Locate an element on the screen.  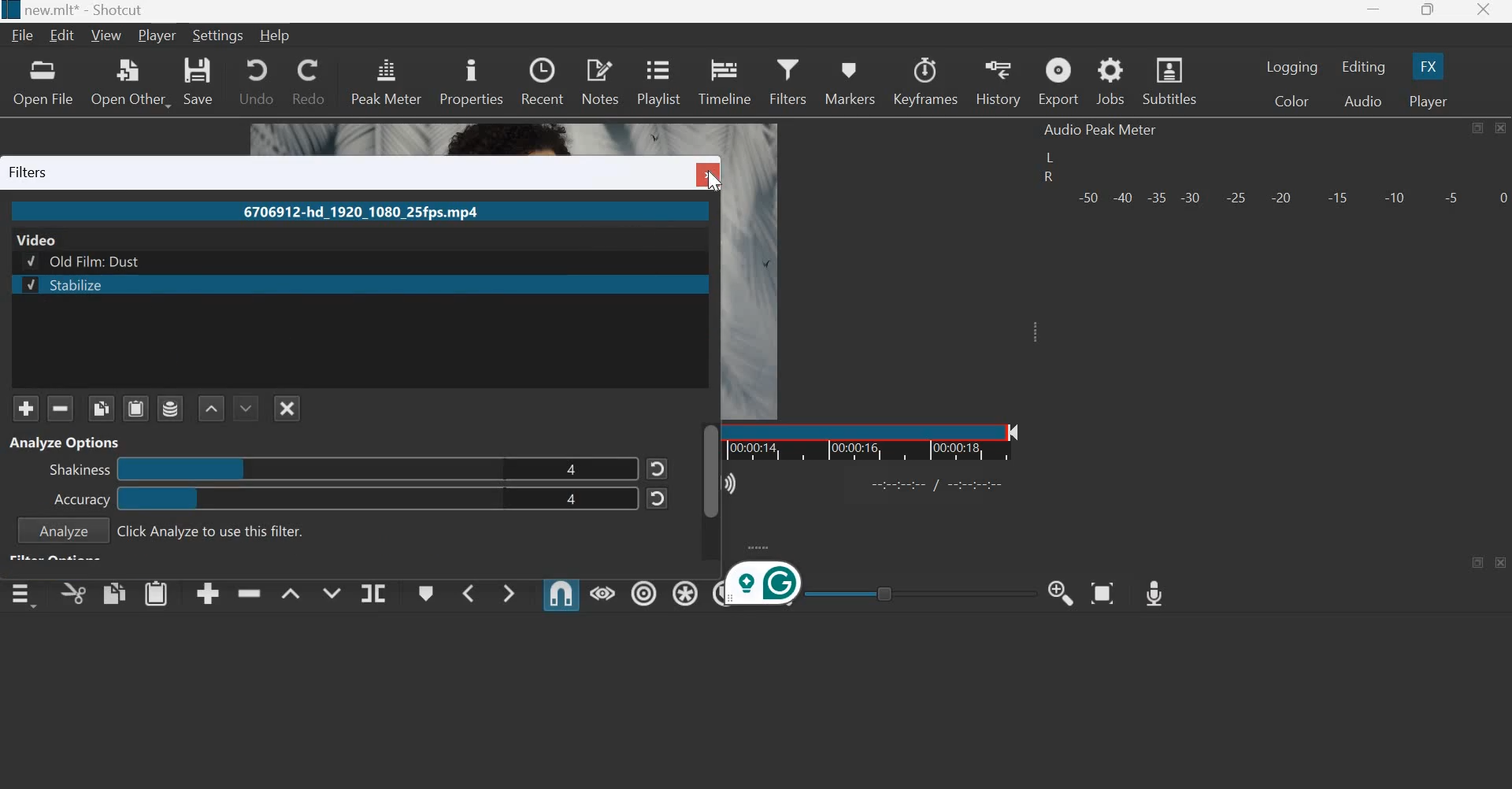
Accuracy is located at coordinates (82, 499).